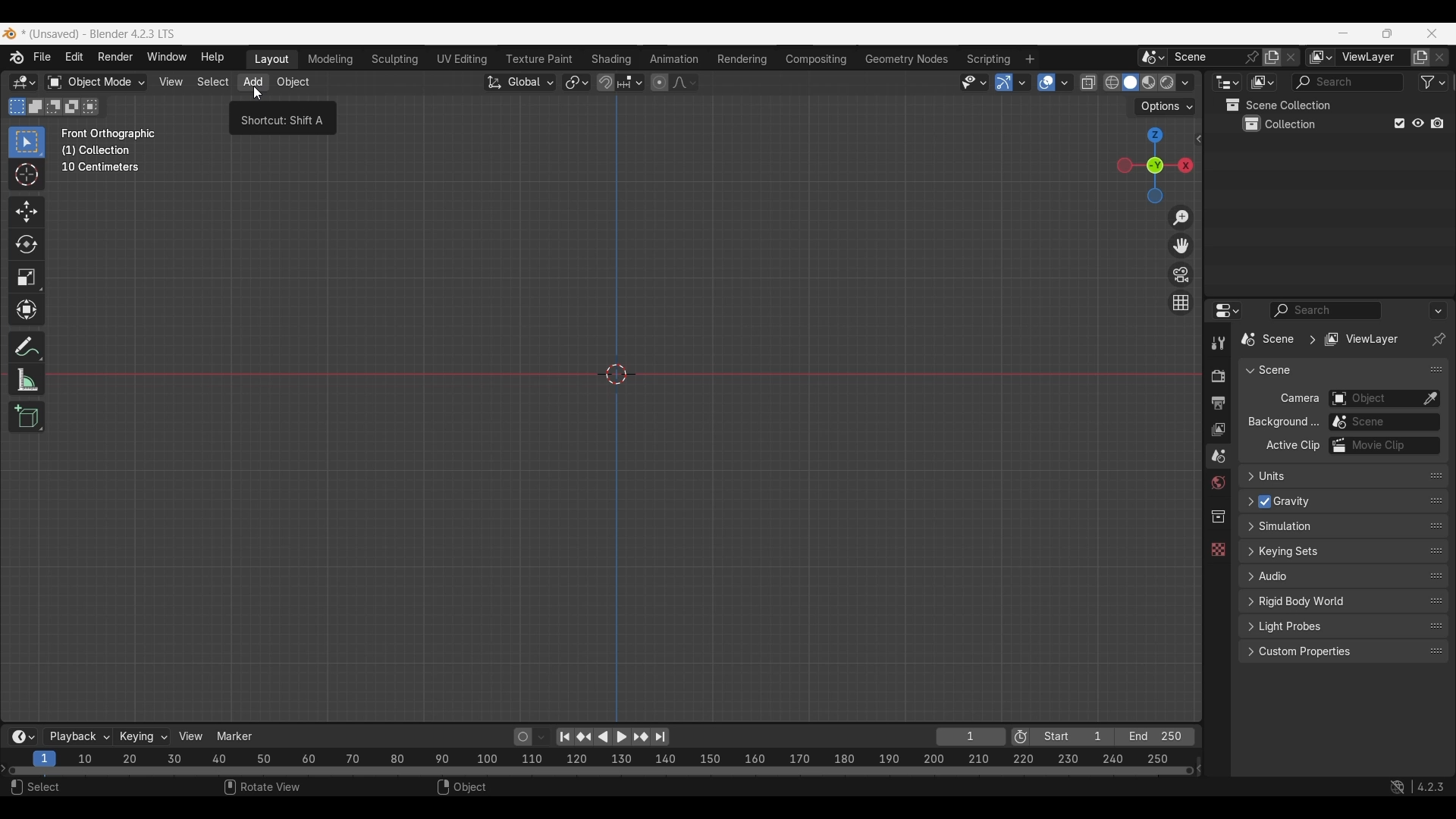 This screenshot has height=819, width=1456. Describe the element at coordinates (1197, 139) in the screenshot. I see `Click to see more edit options` at that location.